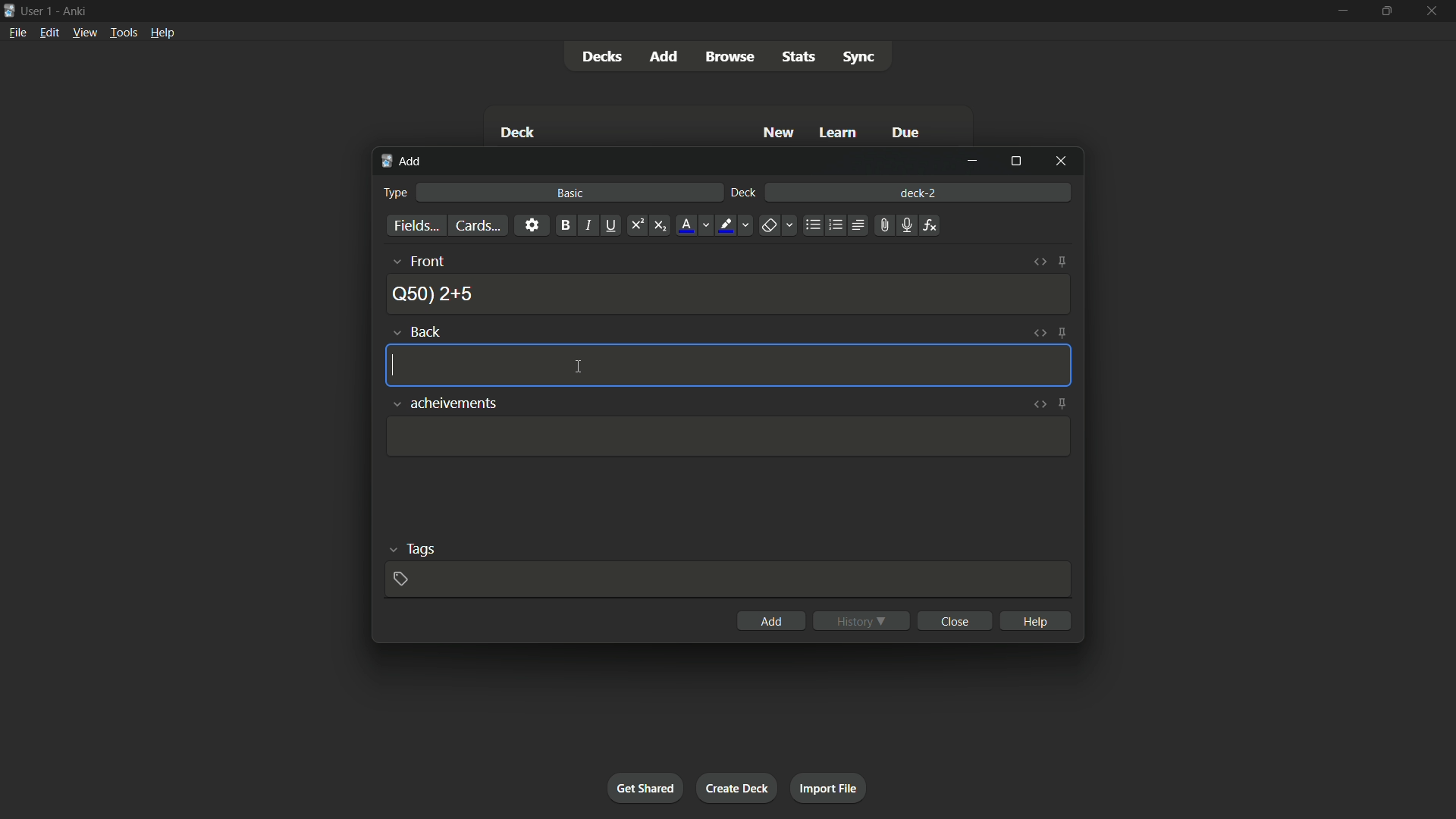  What do you see at coordinates (830, 789) in the screenshot?
I see `import file` at bounding box center [830, 789].